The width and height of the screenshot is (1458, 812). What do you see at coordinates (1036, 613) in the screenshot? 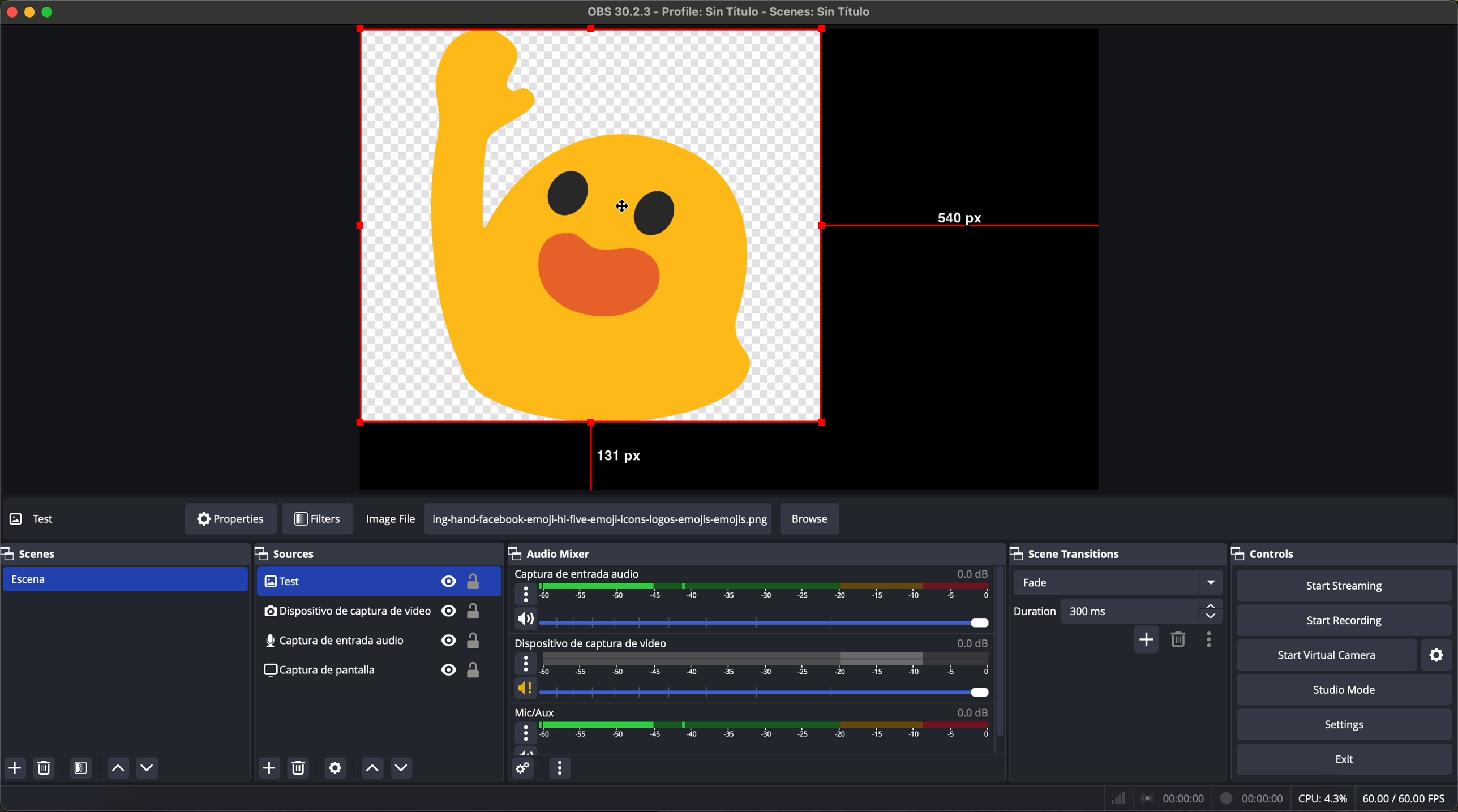
I see `duration` at bounding box center [1036, 613].